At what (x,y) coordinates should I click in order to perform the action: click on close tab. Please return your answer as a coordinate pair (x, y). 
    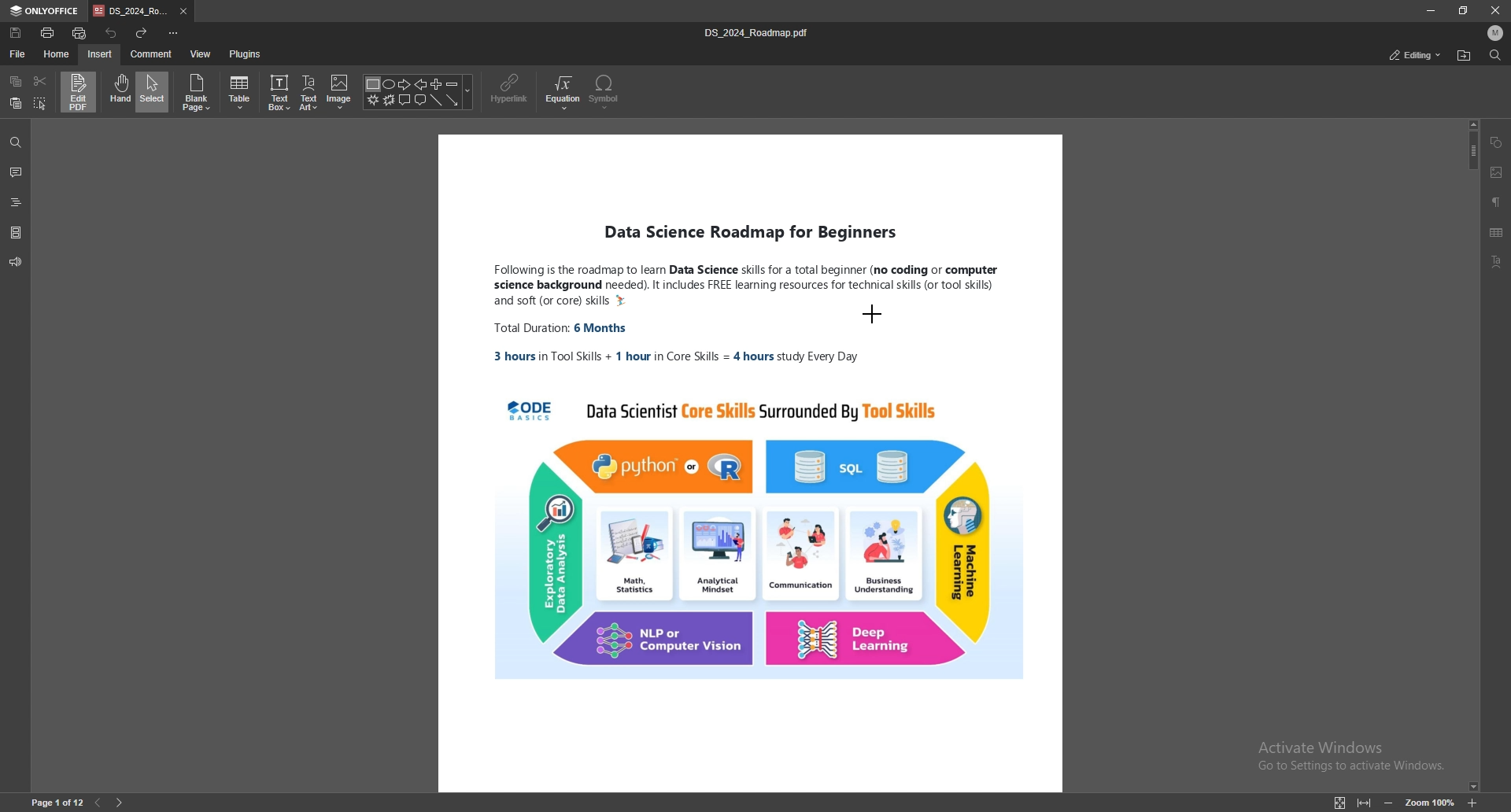
    Looking at the image, I should click on (184, 12).